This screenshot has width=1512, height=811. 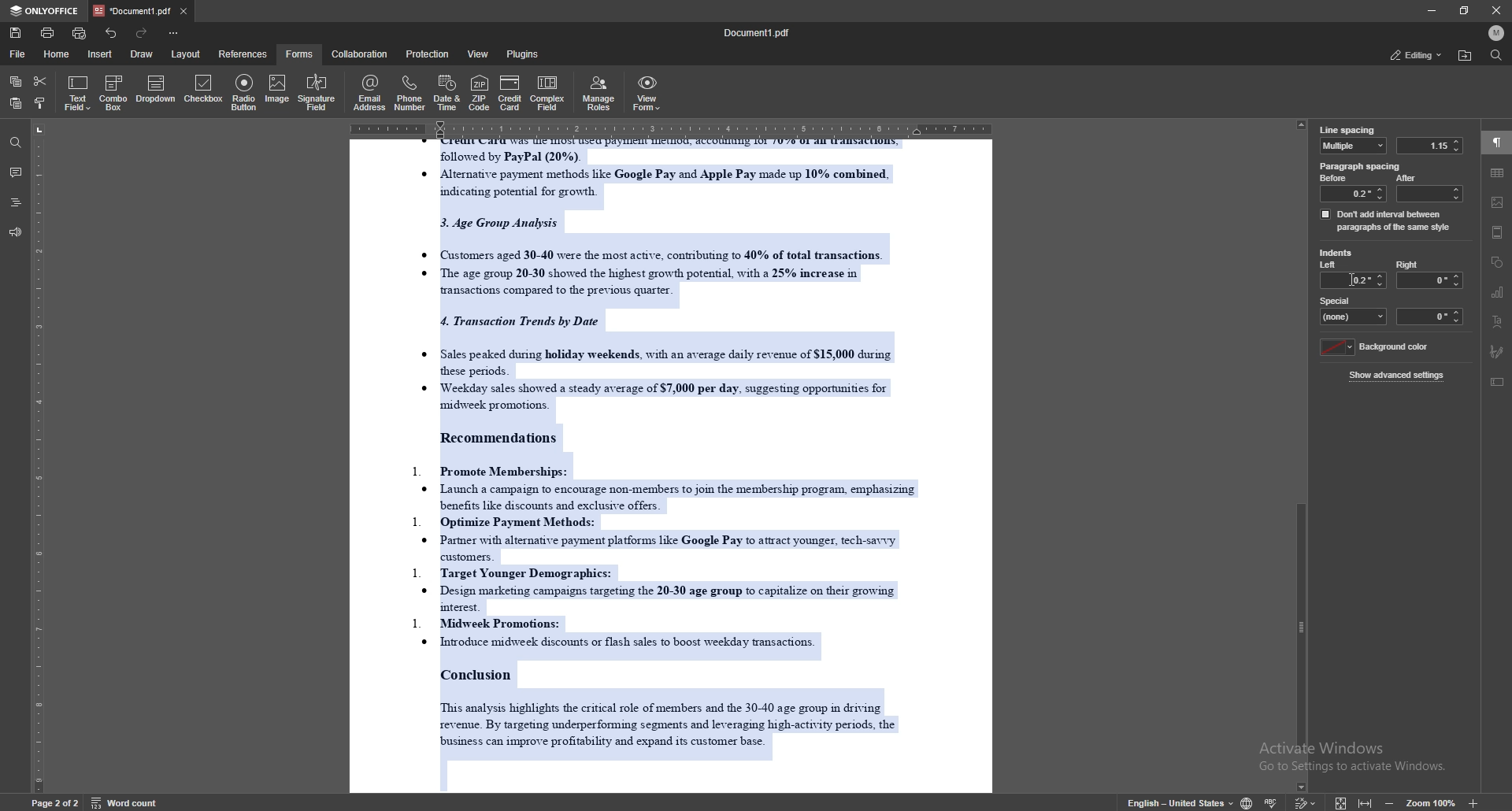 I want to click on background, so click(x=1377, y=347).